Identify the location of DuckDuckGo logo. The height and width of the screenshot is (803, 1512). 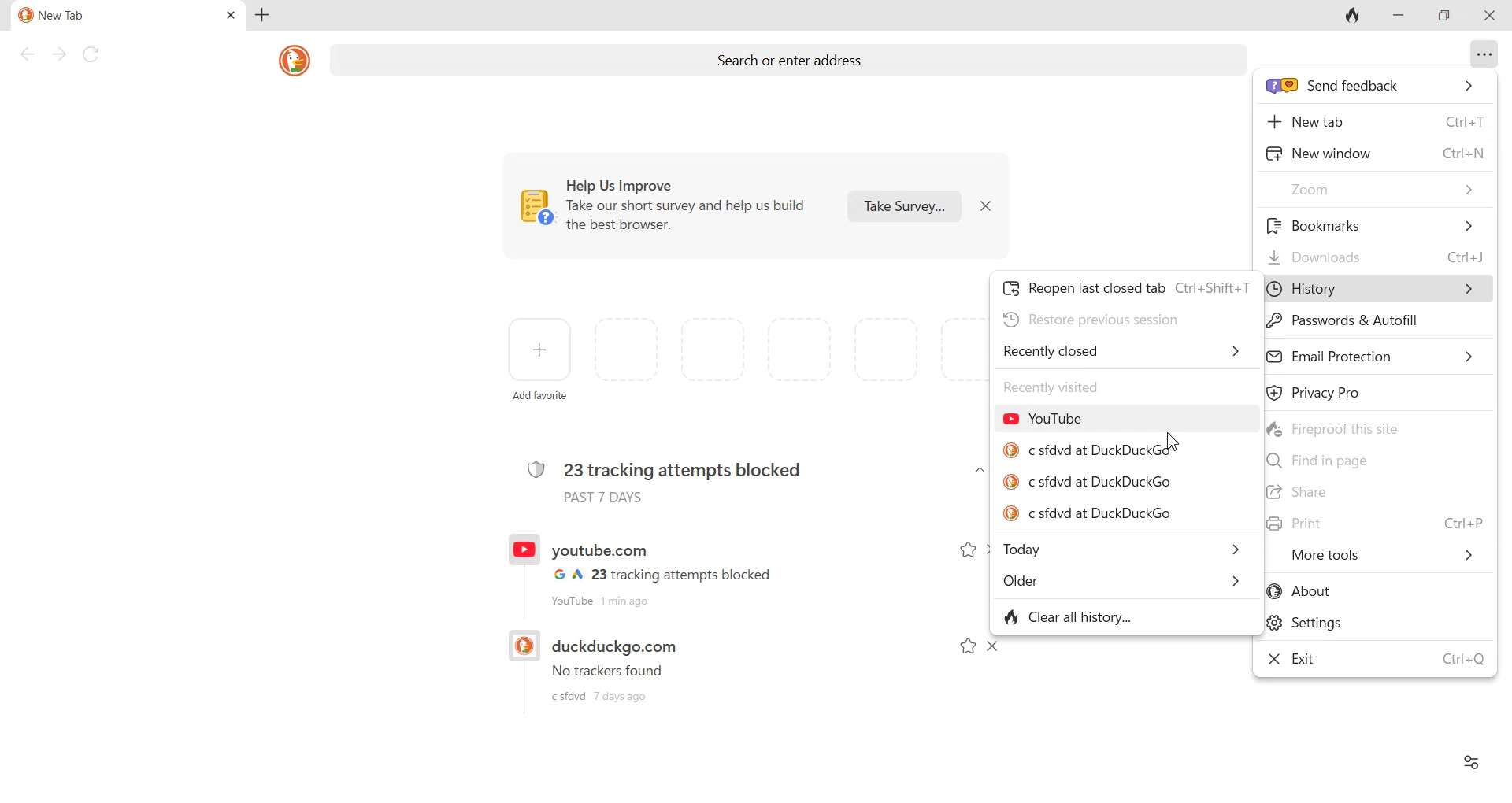
(296, 60).